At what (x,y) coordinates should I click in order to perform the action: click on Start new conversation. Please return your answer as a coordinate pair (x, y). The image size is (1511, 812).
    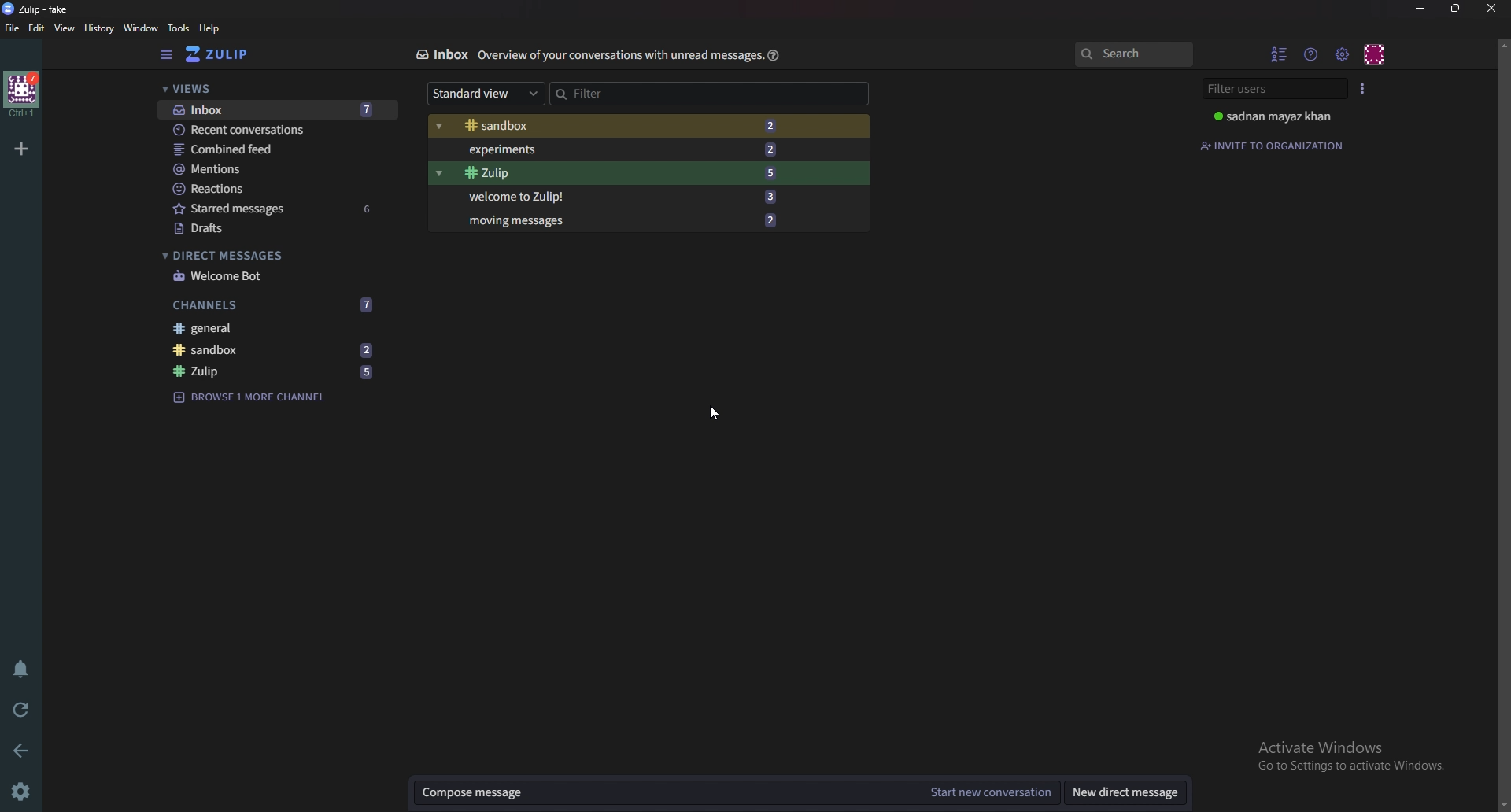
    Looking at the image, I should click on (992, 793).